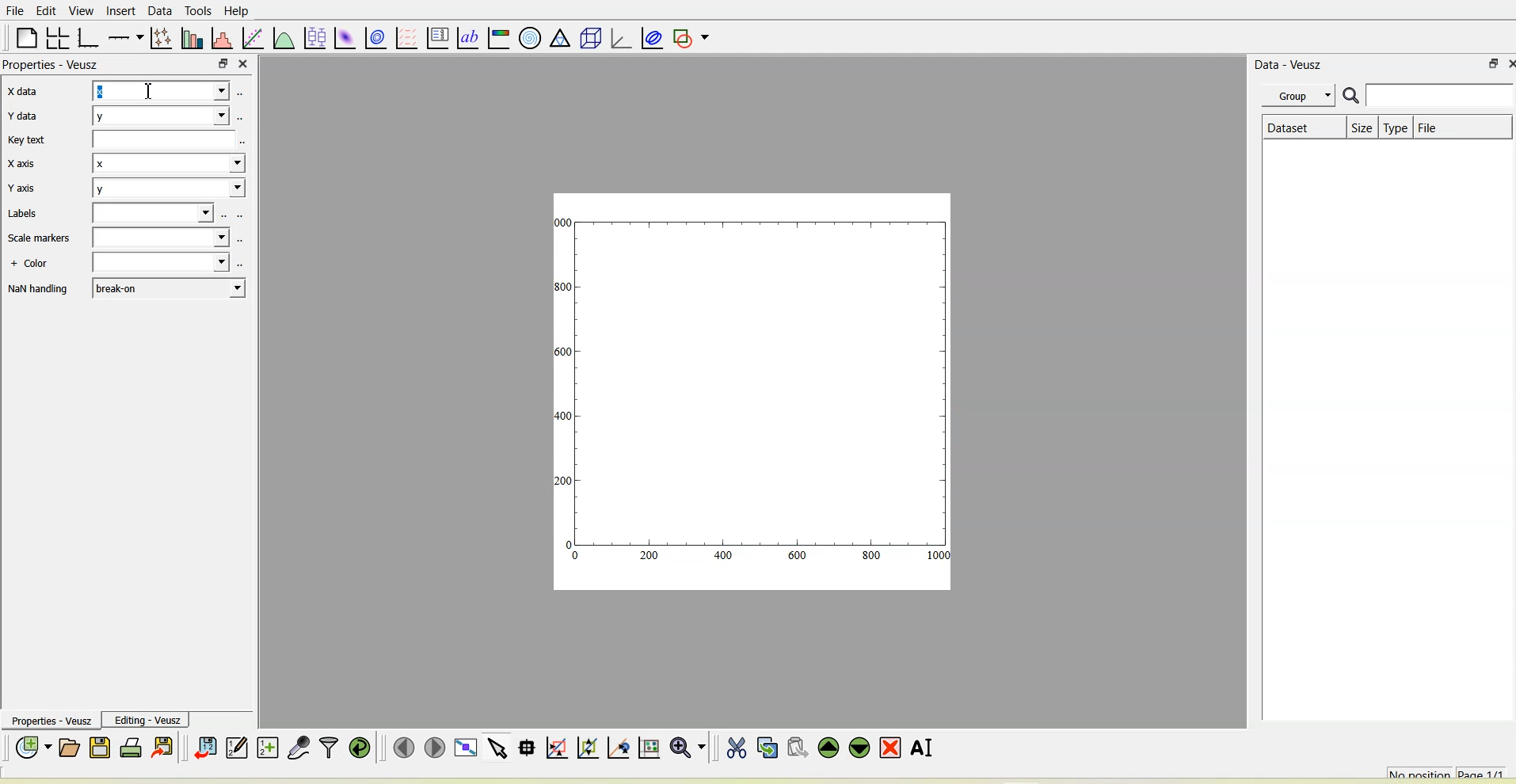  What do you see at coordinates (870, 556) in the screenshot?
I see `800` at bounding box center [870, 556].